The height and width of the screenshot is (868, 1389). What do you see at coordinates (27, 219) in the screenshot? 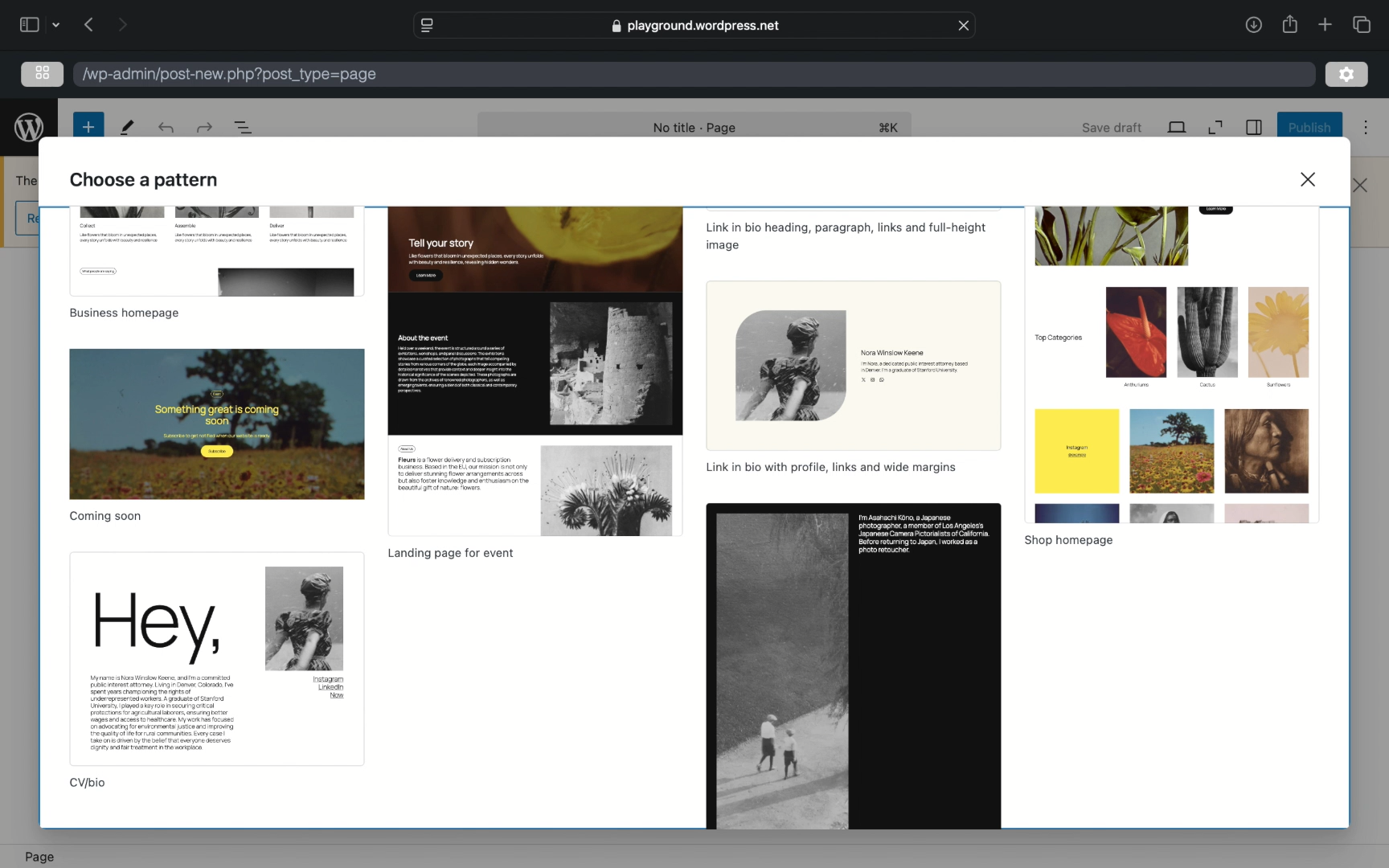
I see `obscure icon` at bounding box center [27, 219].